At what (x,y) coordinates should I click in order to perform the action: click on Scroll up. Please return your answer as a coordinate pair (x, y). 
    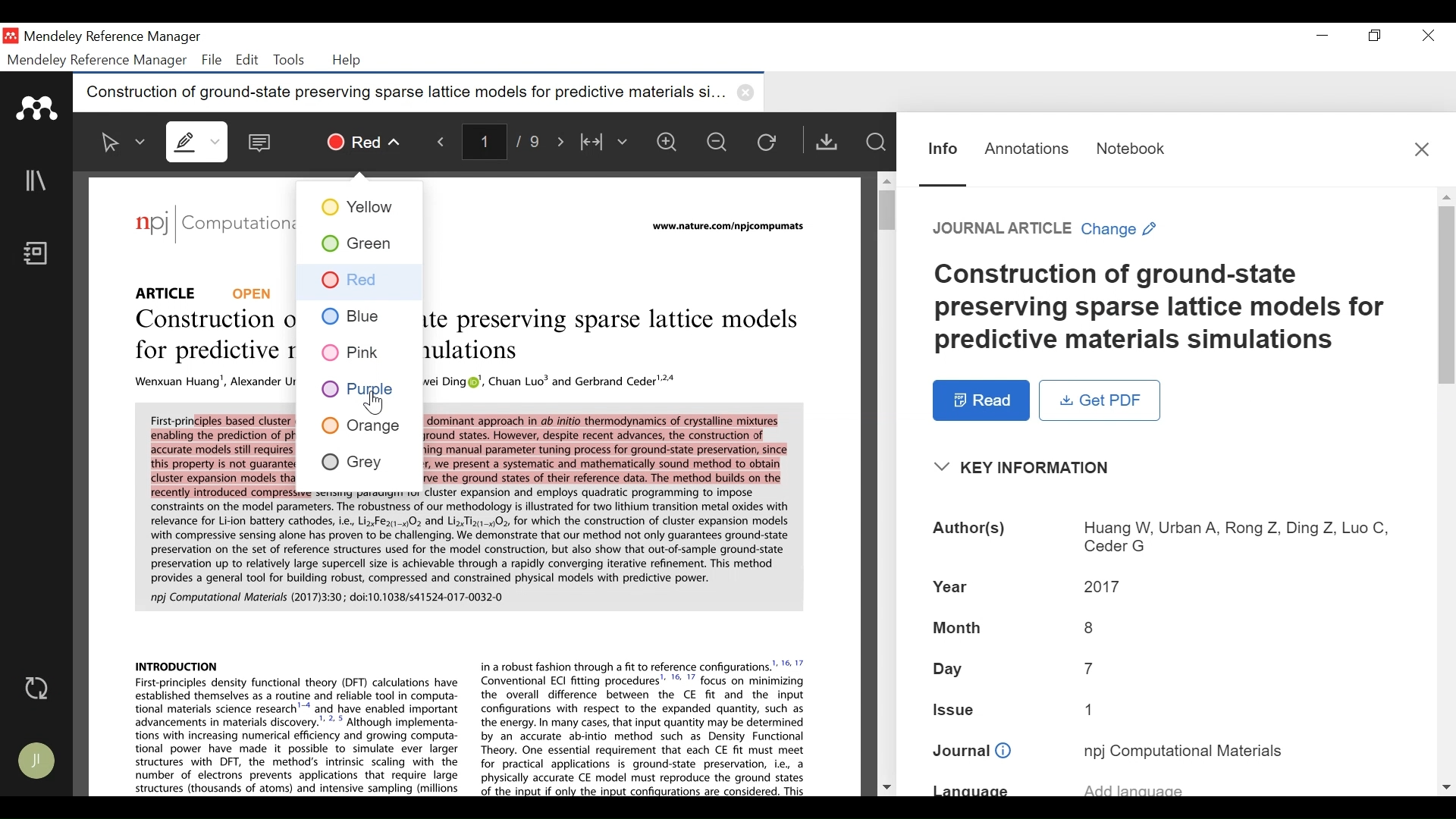
    Looking at the image, I should click on (885, 178).